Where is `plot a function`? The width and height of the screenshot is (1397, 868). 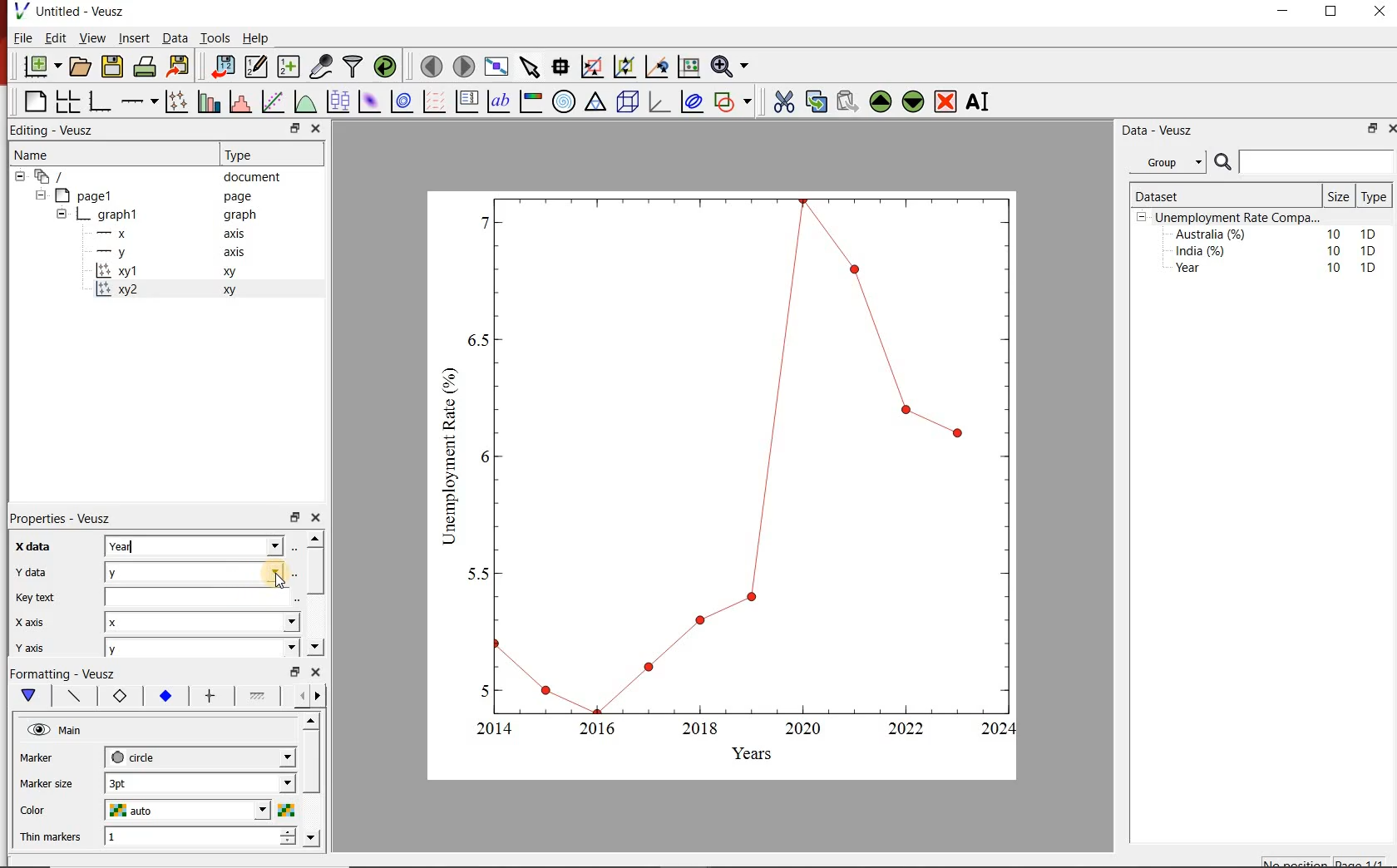 plot a function is located at coordinates (305, 101).